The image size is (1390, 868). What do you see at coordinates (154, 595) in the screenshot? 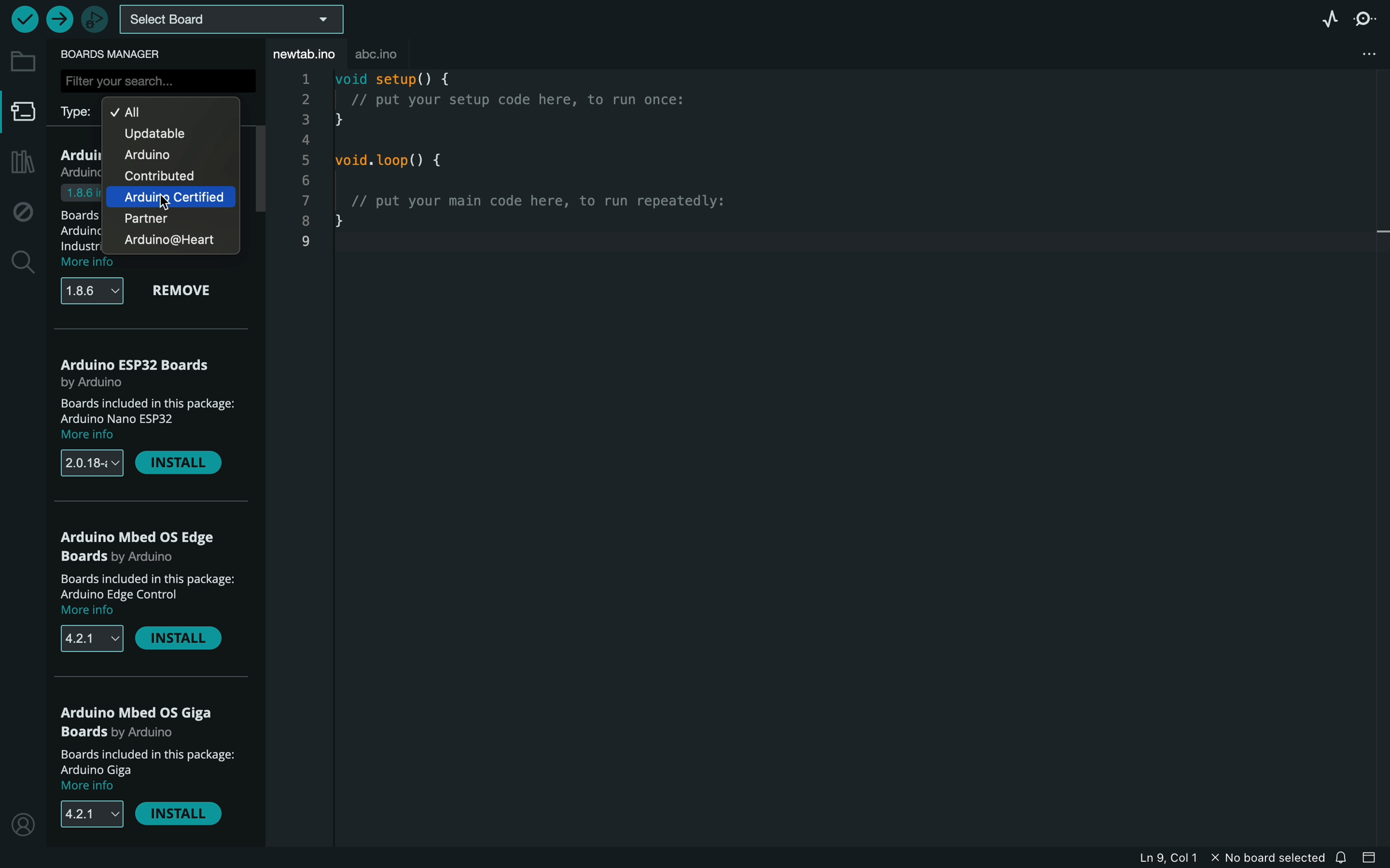
I see `description` at bounding box center [154, 595].